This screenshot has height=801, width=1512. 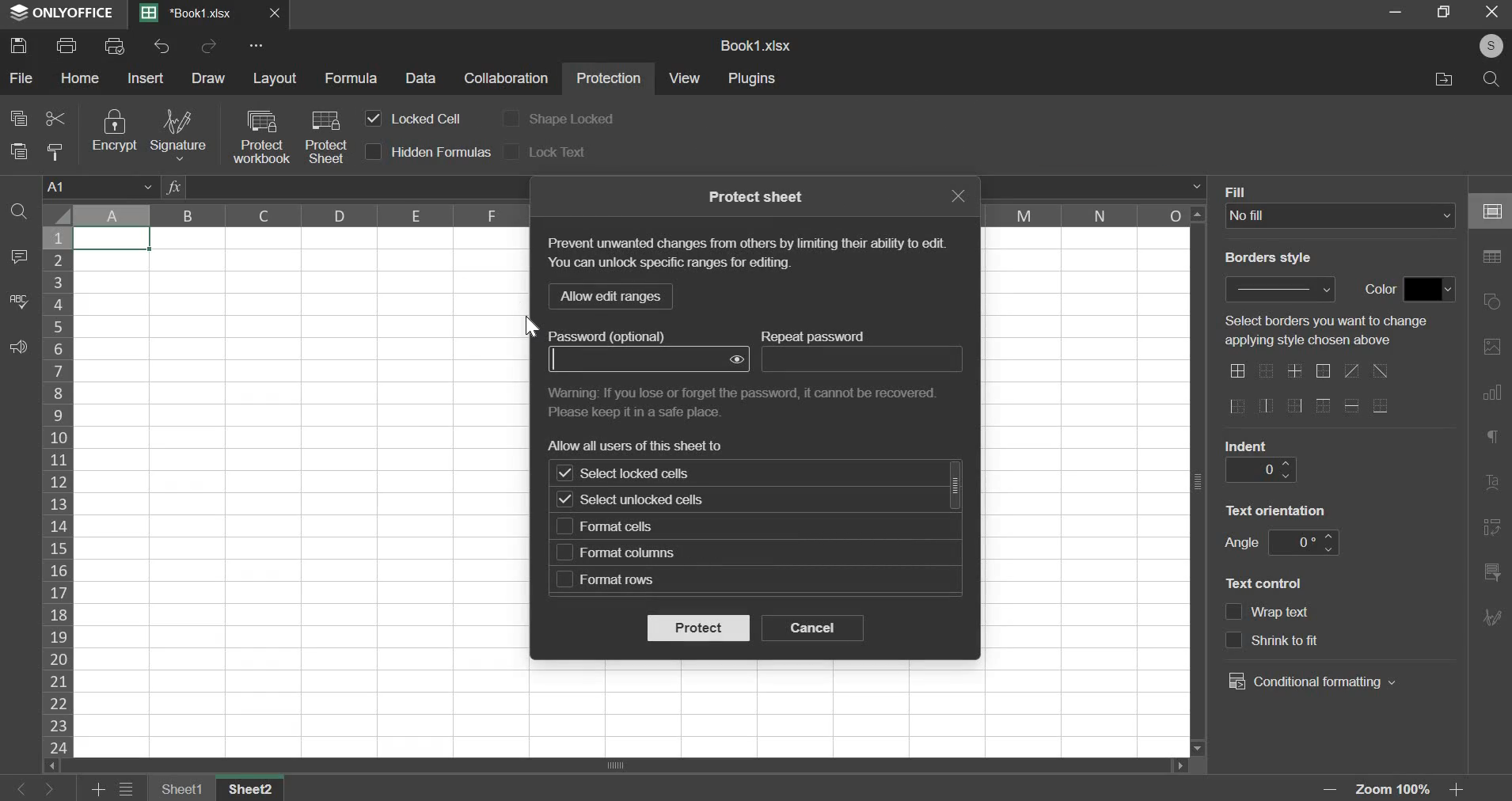 I want to click on border options, so click(x=1324, y=407).